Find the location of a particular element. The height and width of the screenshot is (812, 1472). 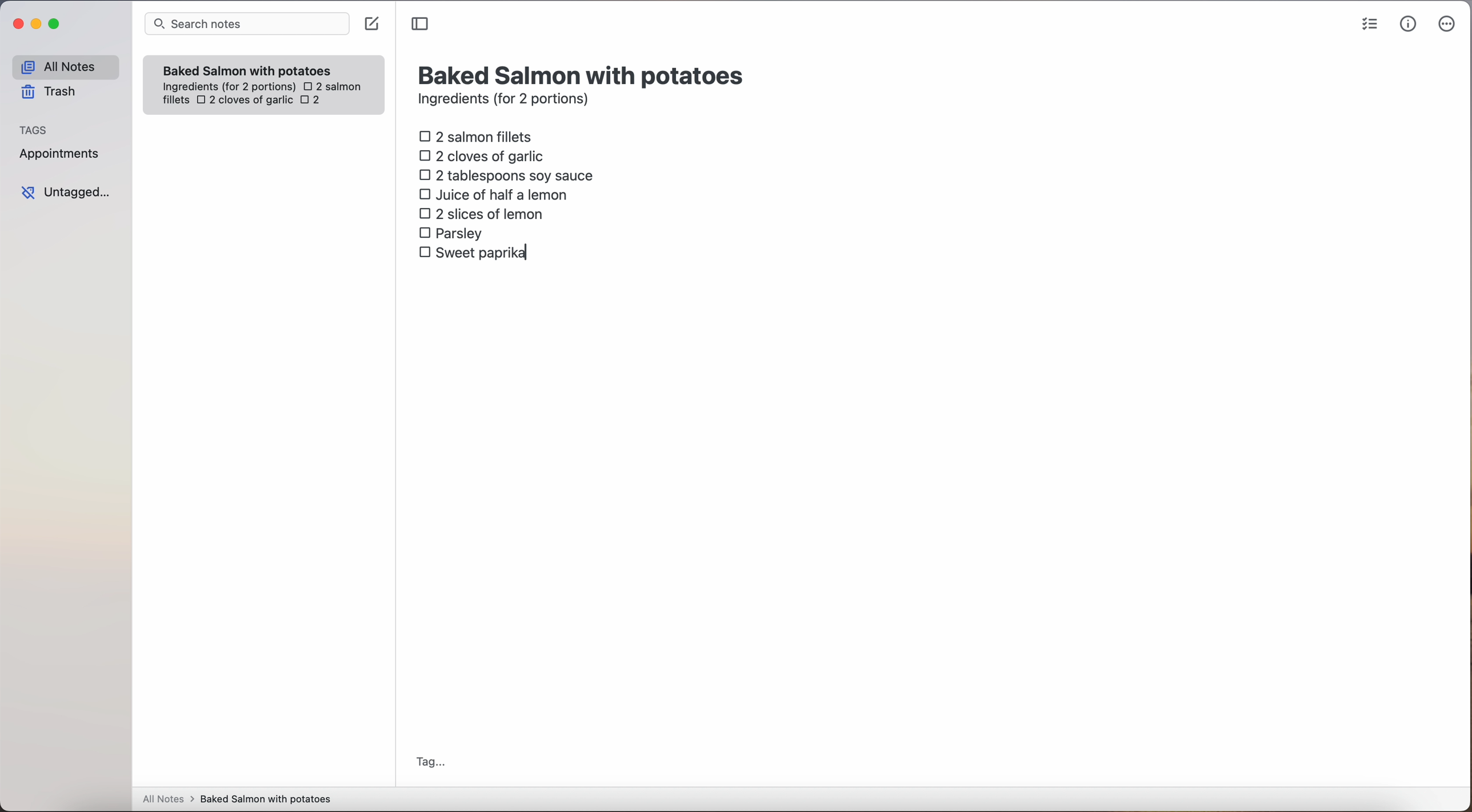

2 cloves of garlic is located at coordinates (245, 101).